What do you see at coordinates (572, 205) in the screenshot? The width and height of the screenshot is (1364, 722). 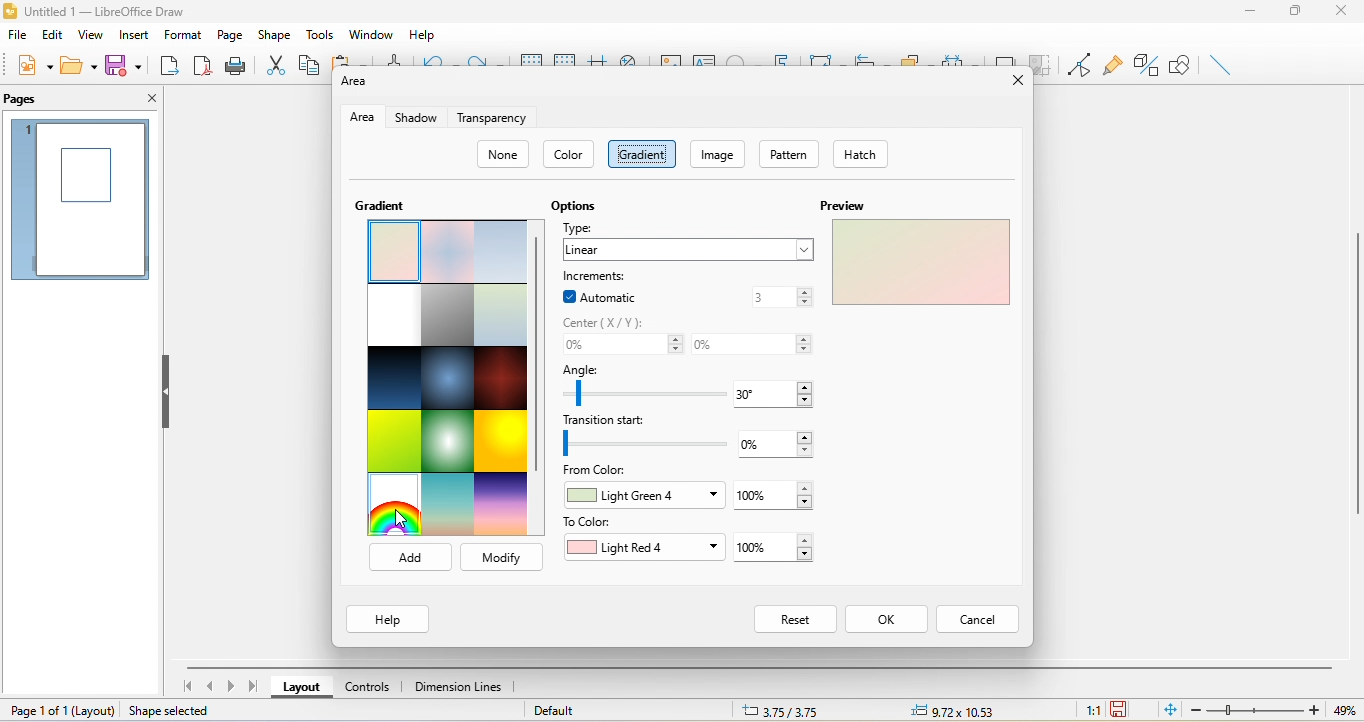 I see `options` at bounding box center [572, 205].